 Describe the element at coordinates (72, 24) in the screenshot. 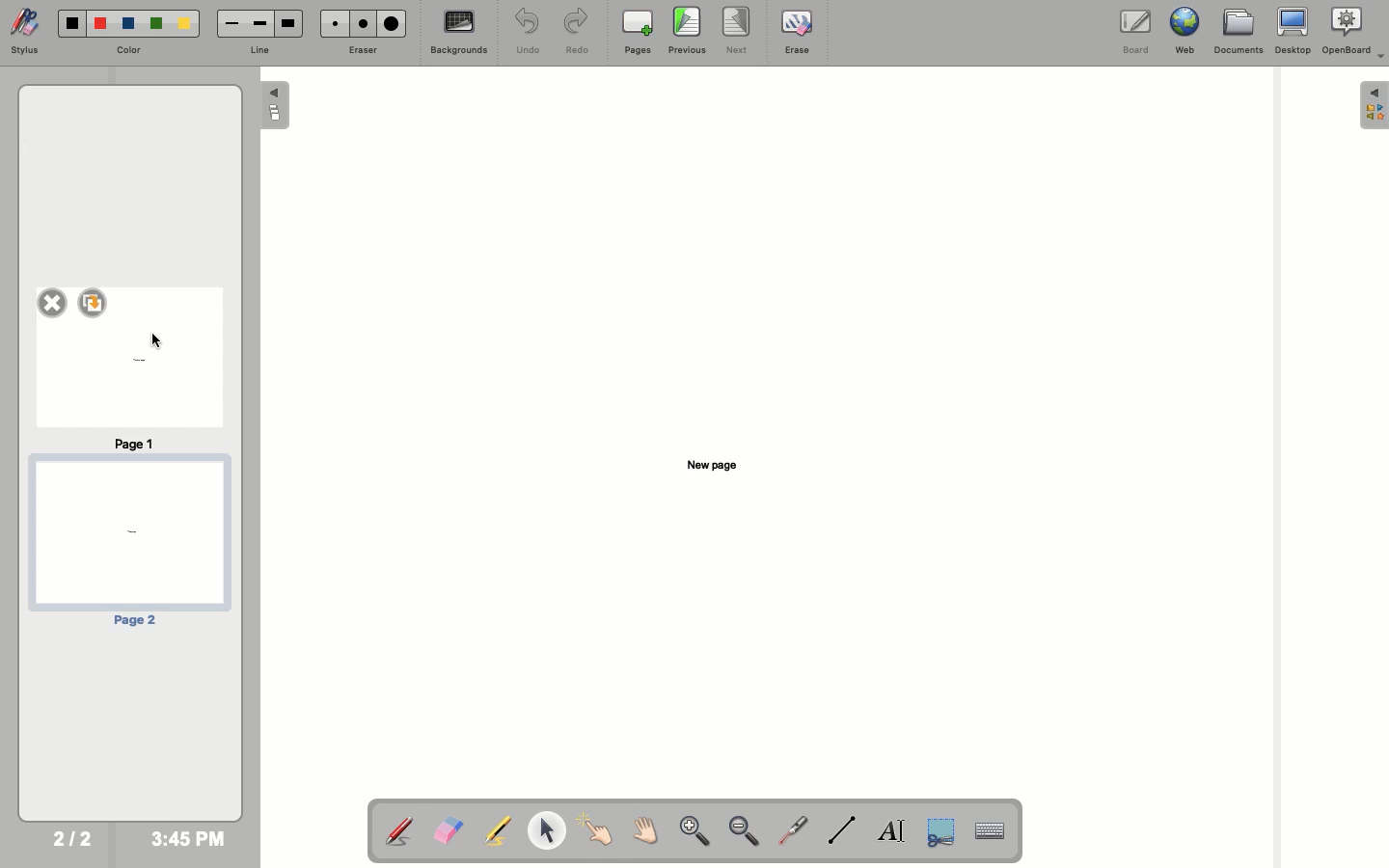

I see `Color 1` at that location.